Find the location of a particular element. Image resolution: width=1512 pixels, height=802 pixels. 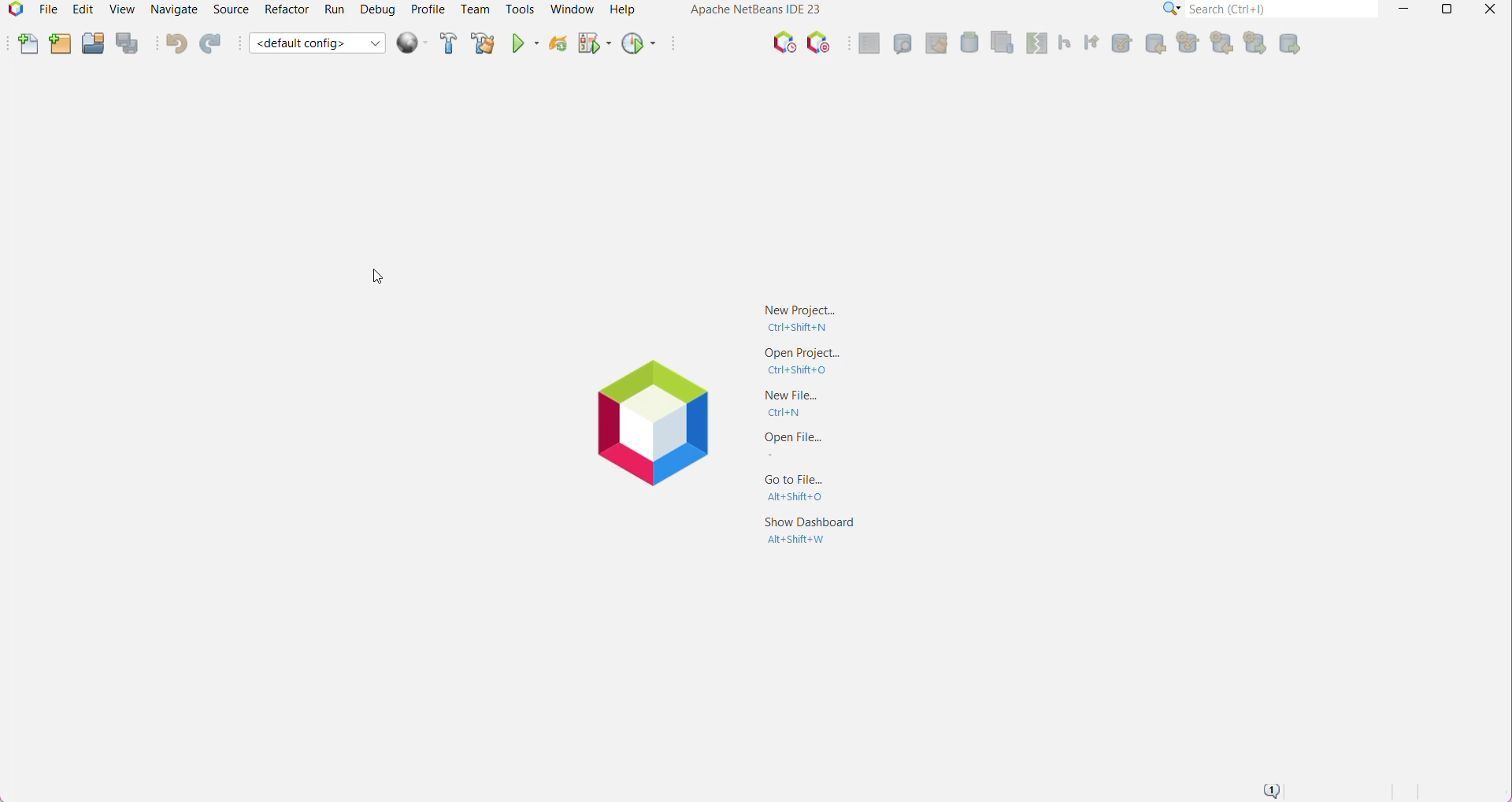

Open Project is located at coordinates (803, 362).